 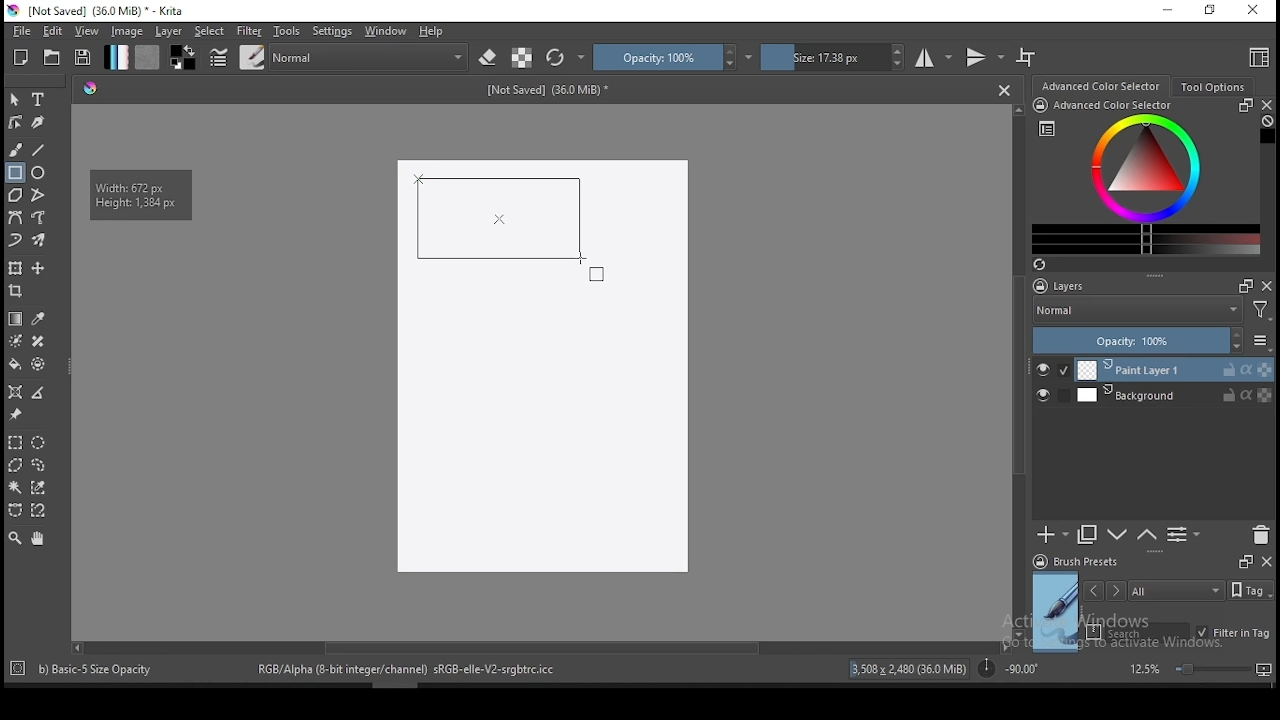 What do you see at coordinates (1267, 123) in the screenshot?
I see `Clear` at bounding box center [1267, 123].